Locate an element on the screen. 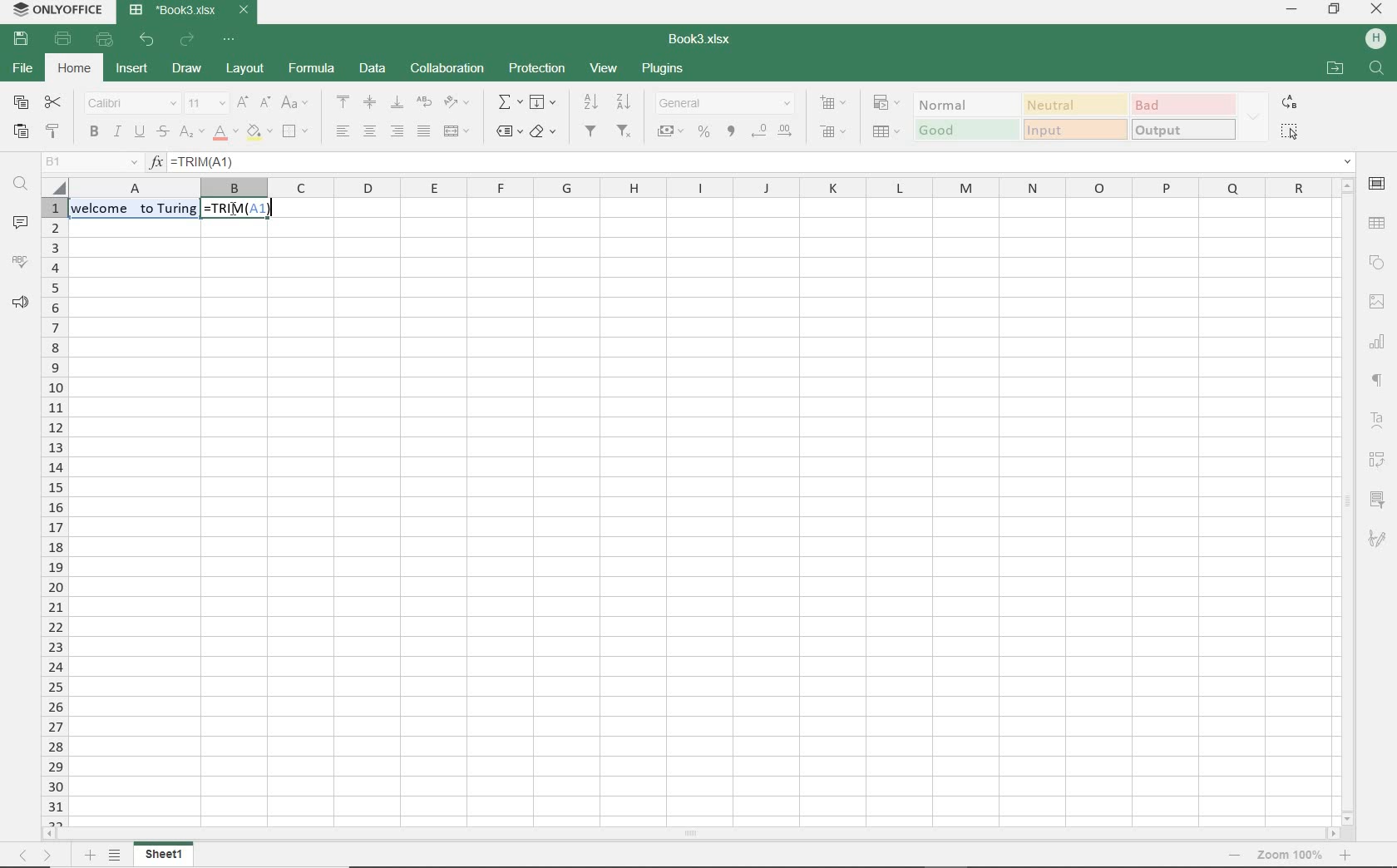  align left is located at coordinates (343, 131).